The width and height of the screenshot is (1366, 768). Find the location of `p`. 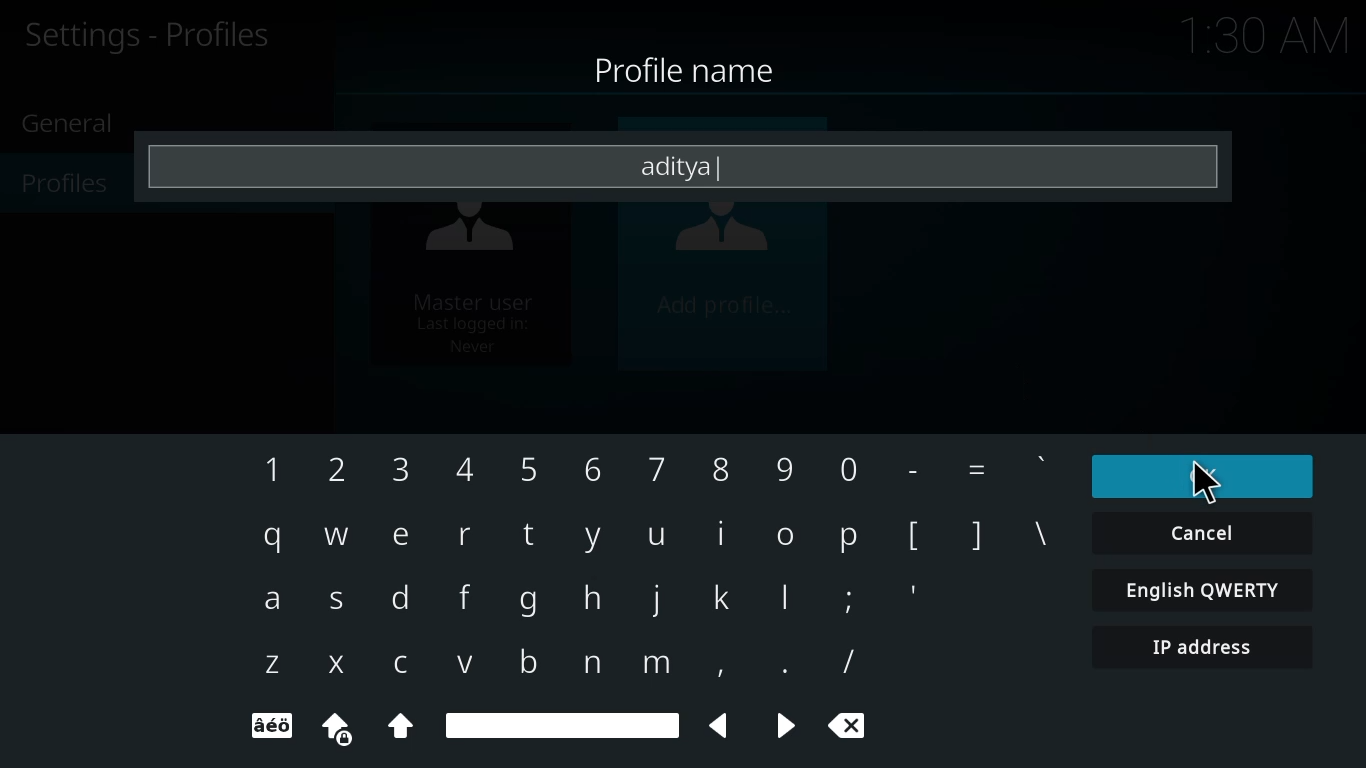

p is located at coordinates (847, 543).